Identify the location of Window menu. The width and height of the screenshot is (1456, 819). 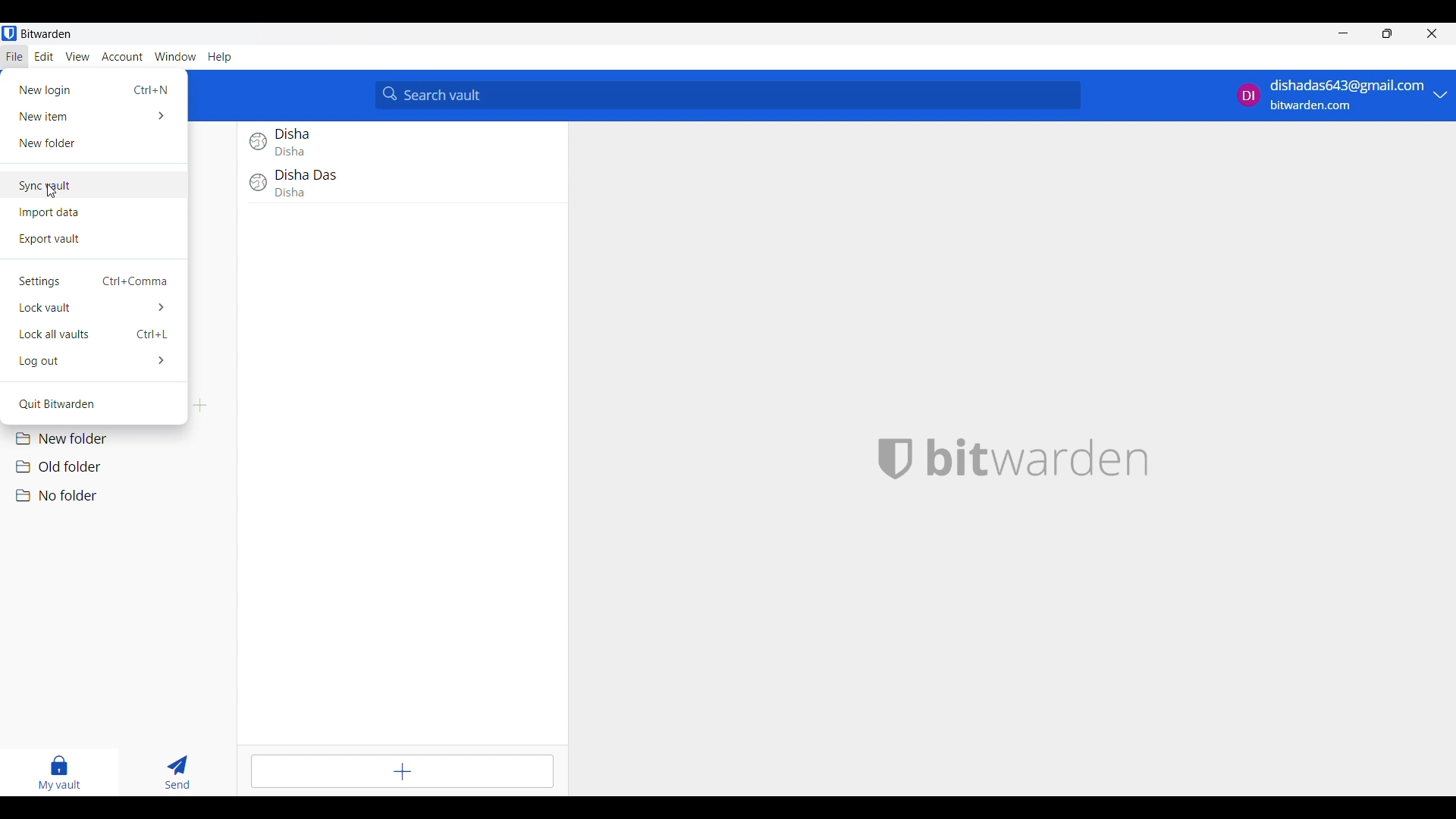
(175, 56).